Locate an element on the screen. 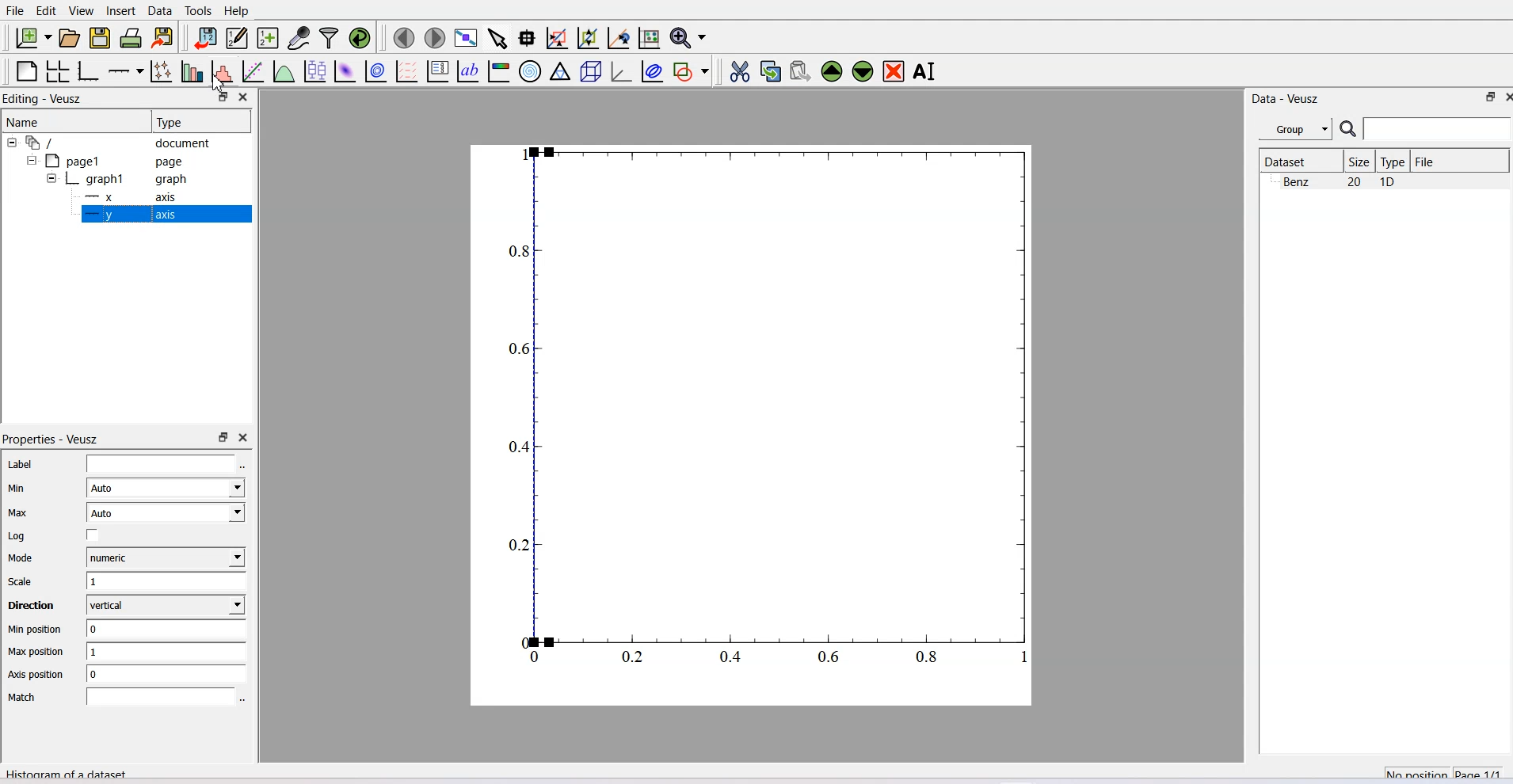  Close is located at coordinates (246, 97).